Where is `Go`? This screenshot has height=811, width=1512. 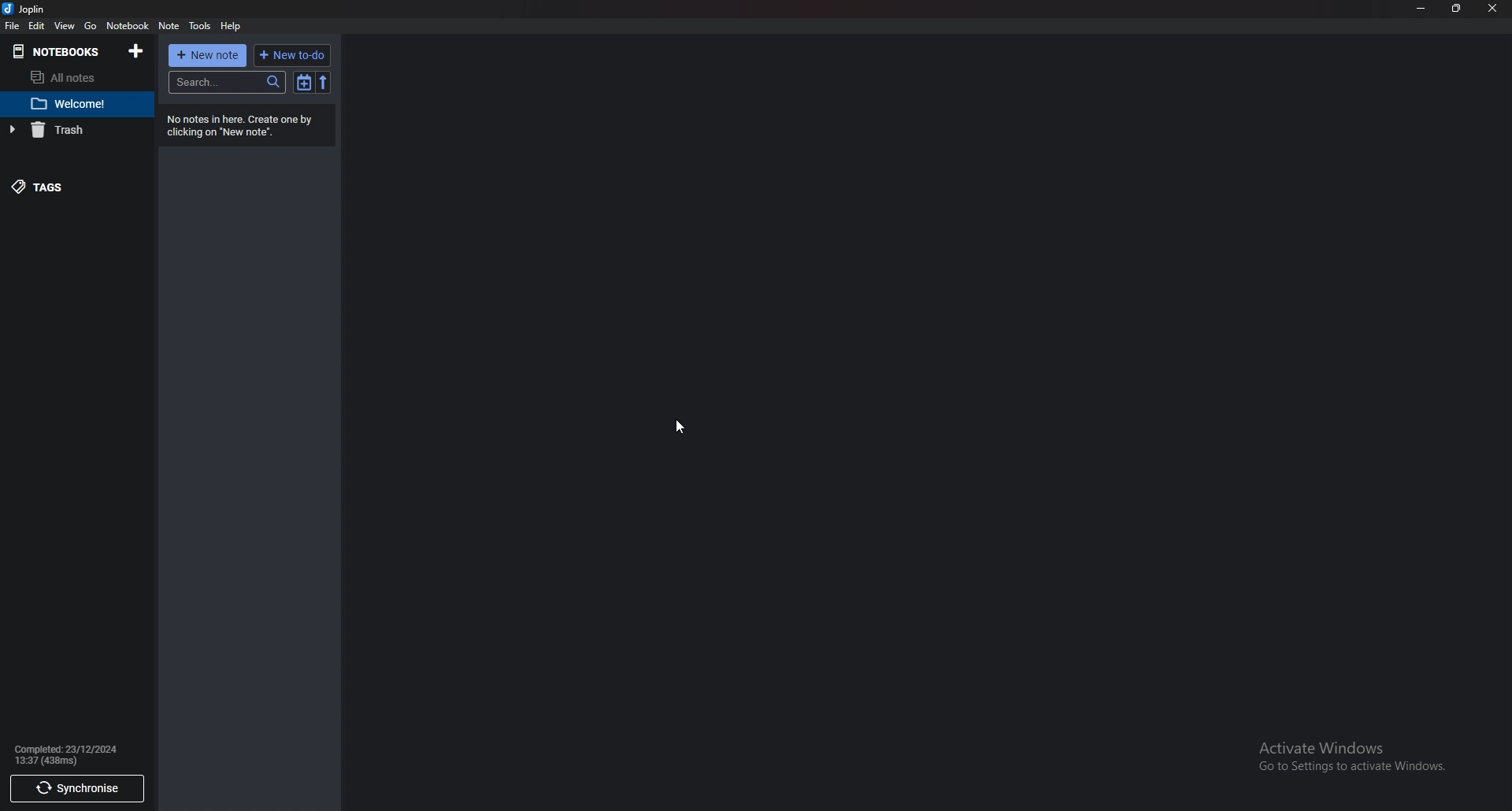 Go is located at coordinates (92, 26).